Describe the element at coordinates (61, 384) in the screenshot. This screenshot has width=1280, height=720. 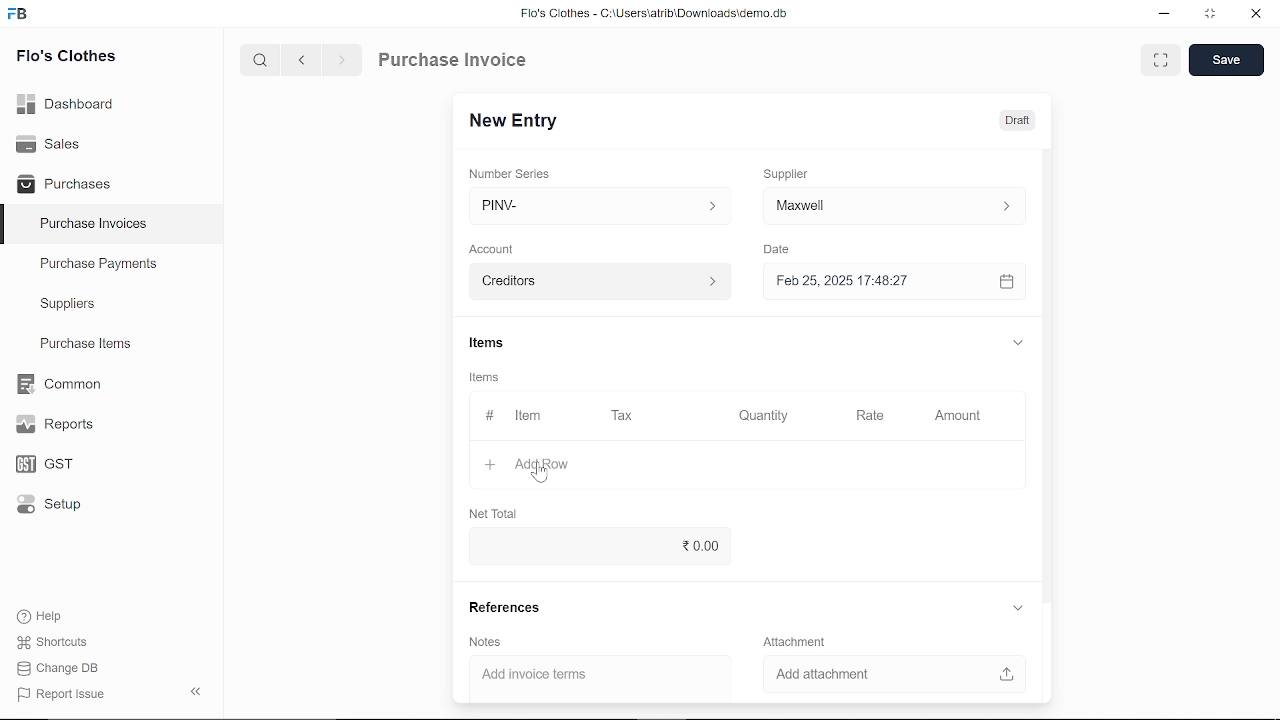
I see `Common` at that location.